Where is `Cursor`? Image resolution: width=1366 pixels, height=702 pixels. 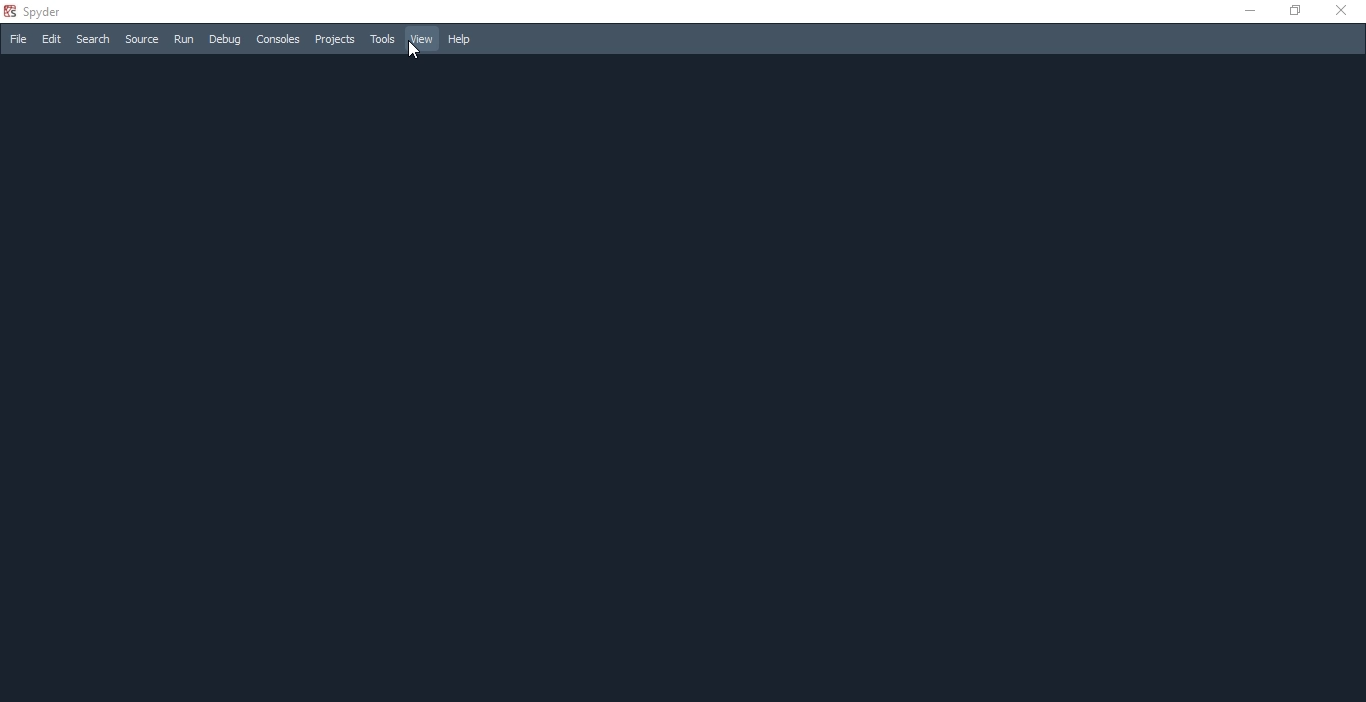 Cursor is located at coordinates (414, 50).